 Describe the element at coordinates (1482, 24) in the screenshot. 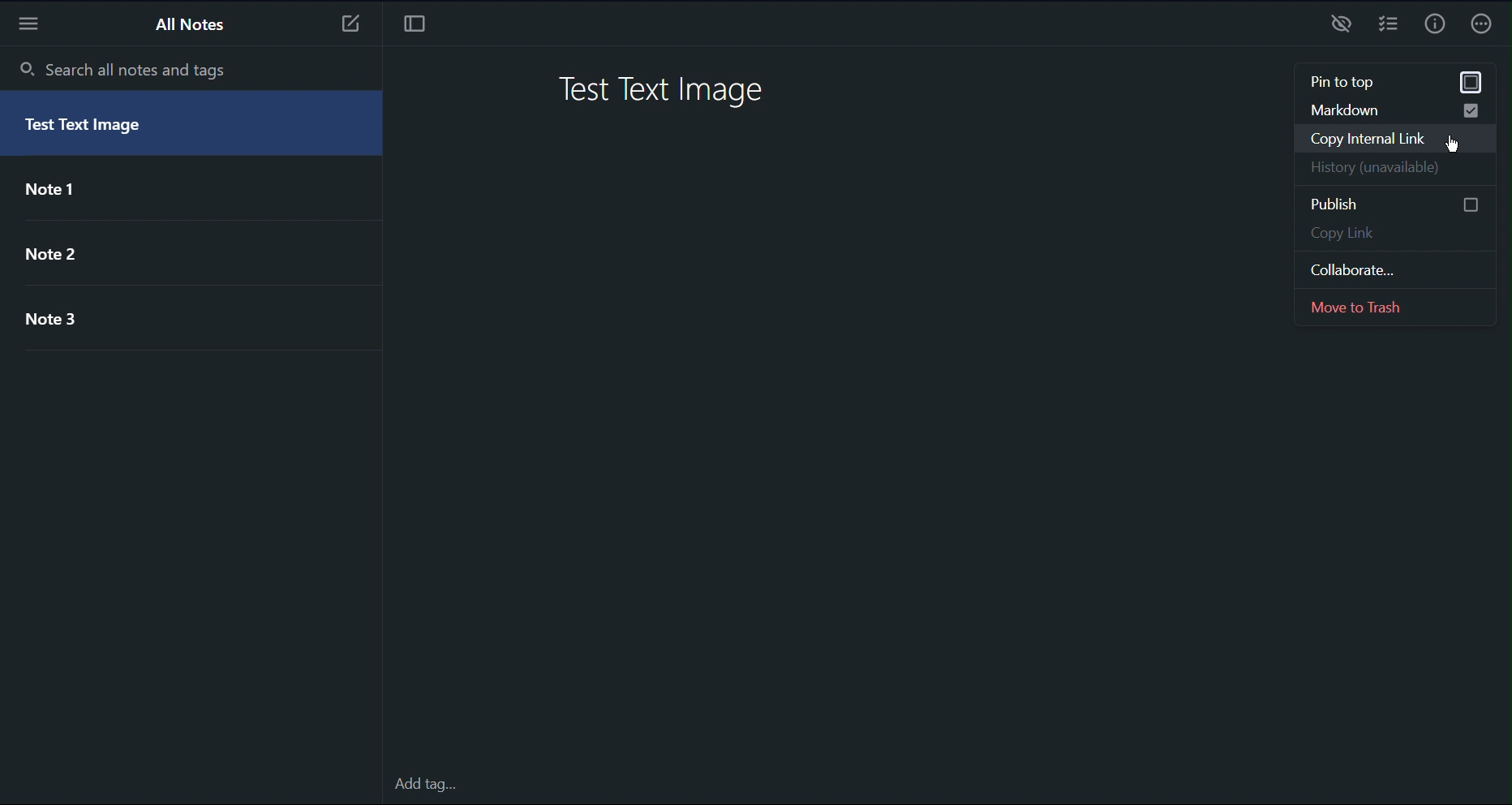

I see `More` at that location.